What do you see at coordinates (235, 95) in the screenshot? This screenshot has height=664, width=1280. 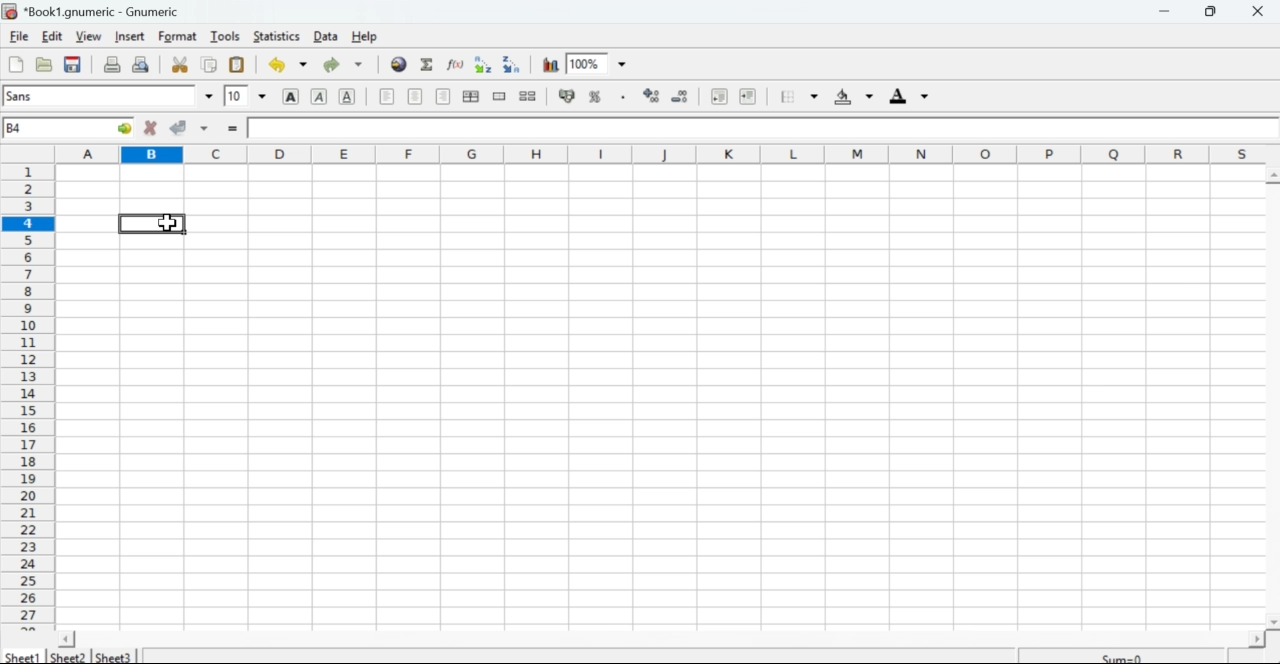 I see `Font size` at bounding box center [235, 95].